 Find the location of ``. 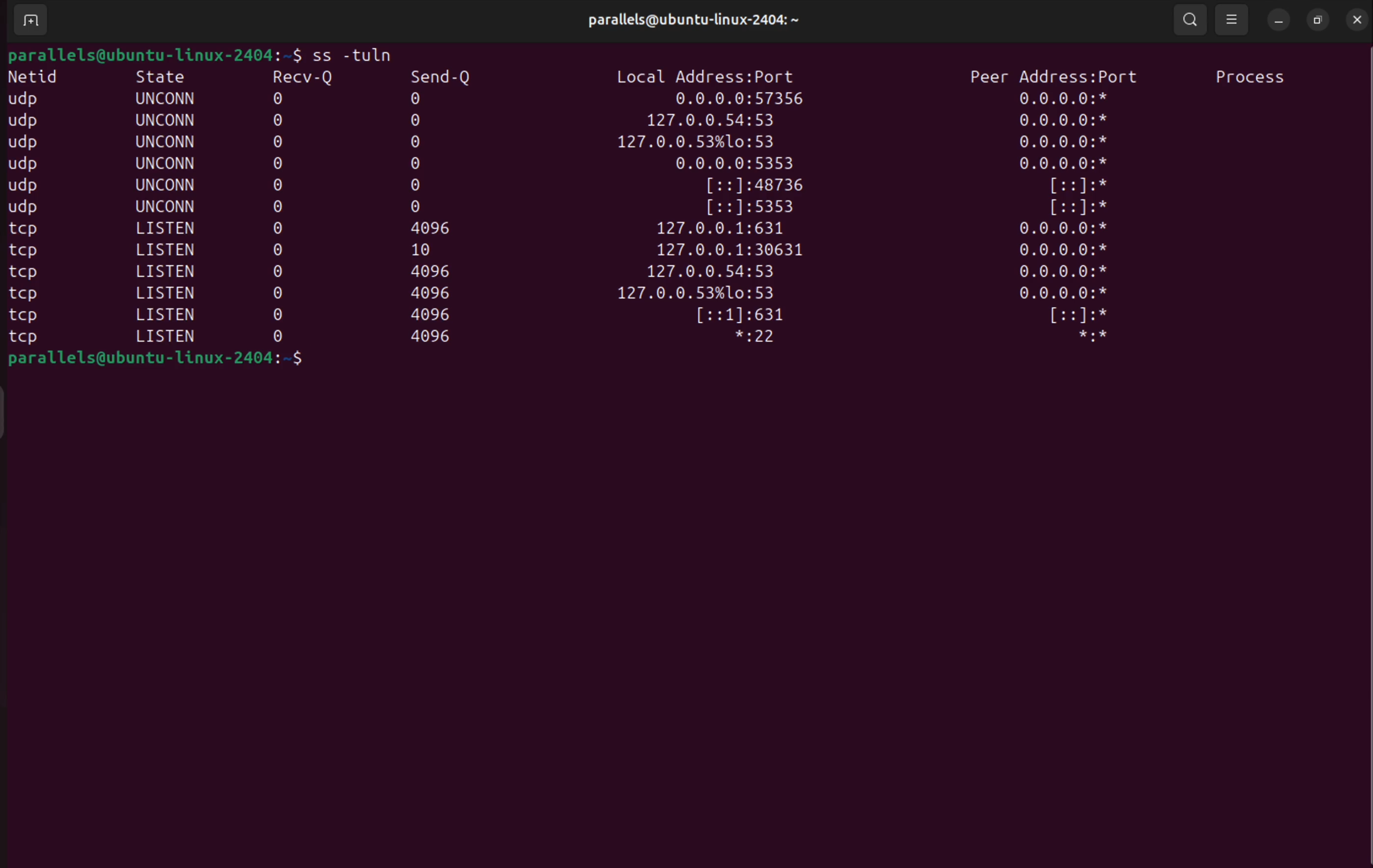

 is located at coordinates (28, 164).